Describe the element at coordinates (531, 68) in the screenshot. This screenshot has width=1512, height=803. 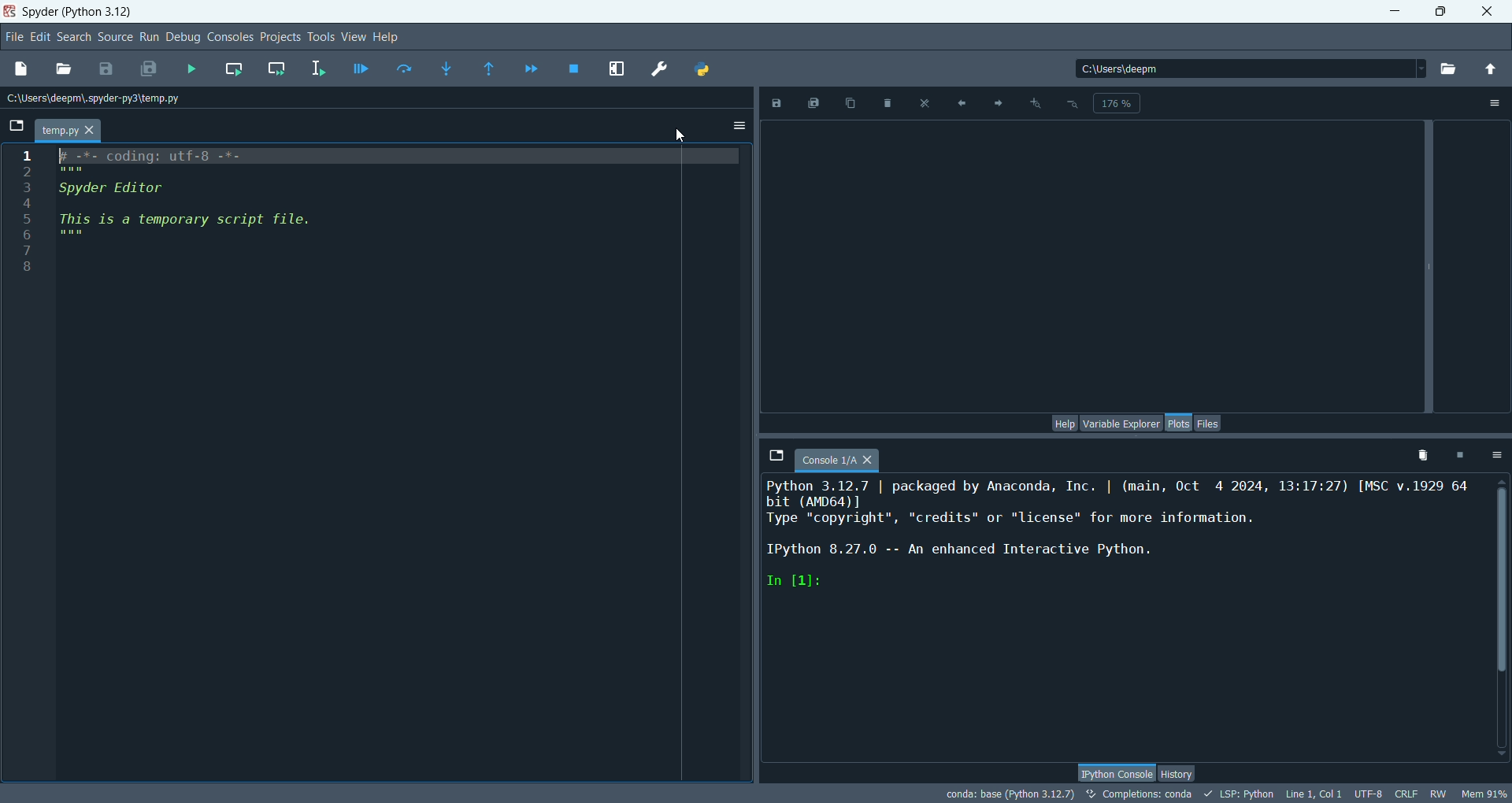
I see `continue execution until next breakpoint` at that location.